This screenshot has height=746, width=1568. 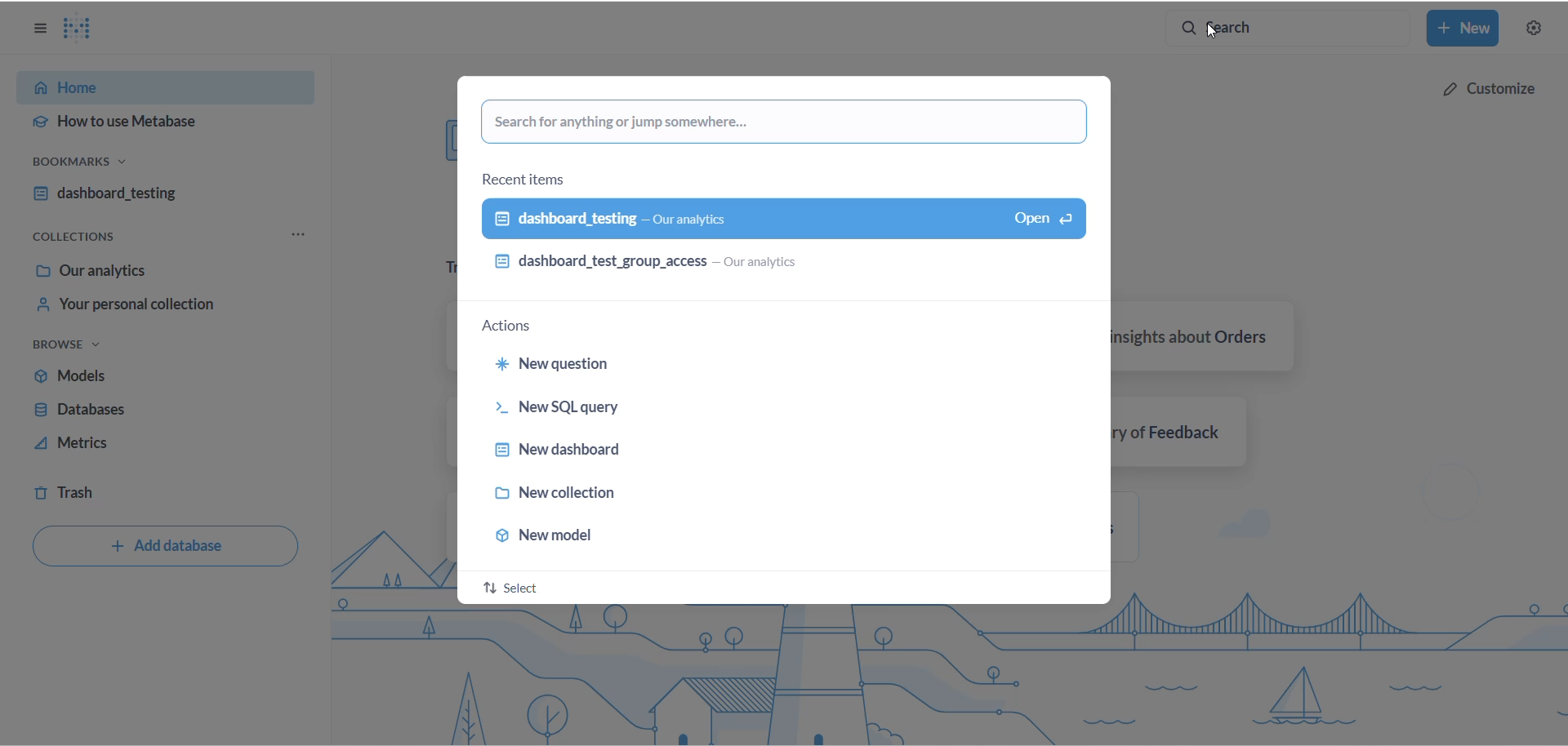 What do you see at coordinates (1484, 87) in the screenshot?
I see `customize` at bounding box center [1484, 87].